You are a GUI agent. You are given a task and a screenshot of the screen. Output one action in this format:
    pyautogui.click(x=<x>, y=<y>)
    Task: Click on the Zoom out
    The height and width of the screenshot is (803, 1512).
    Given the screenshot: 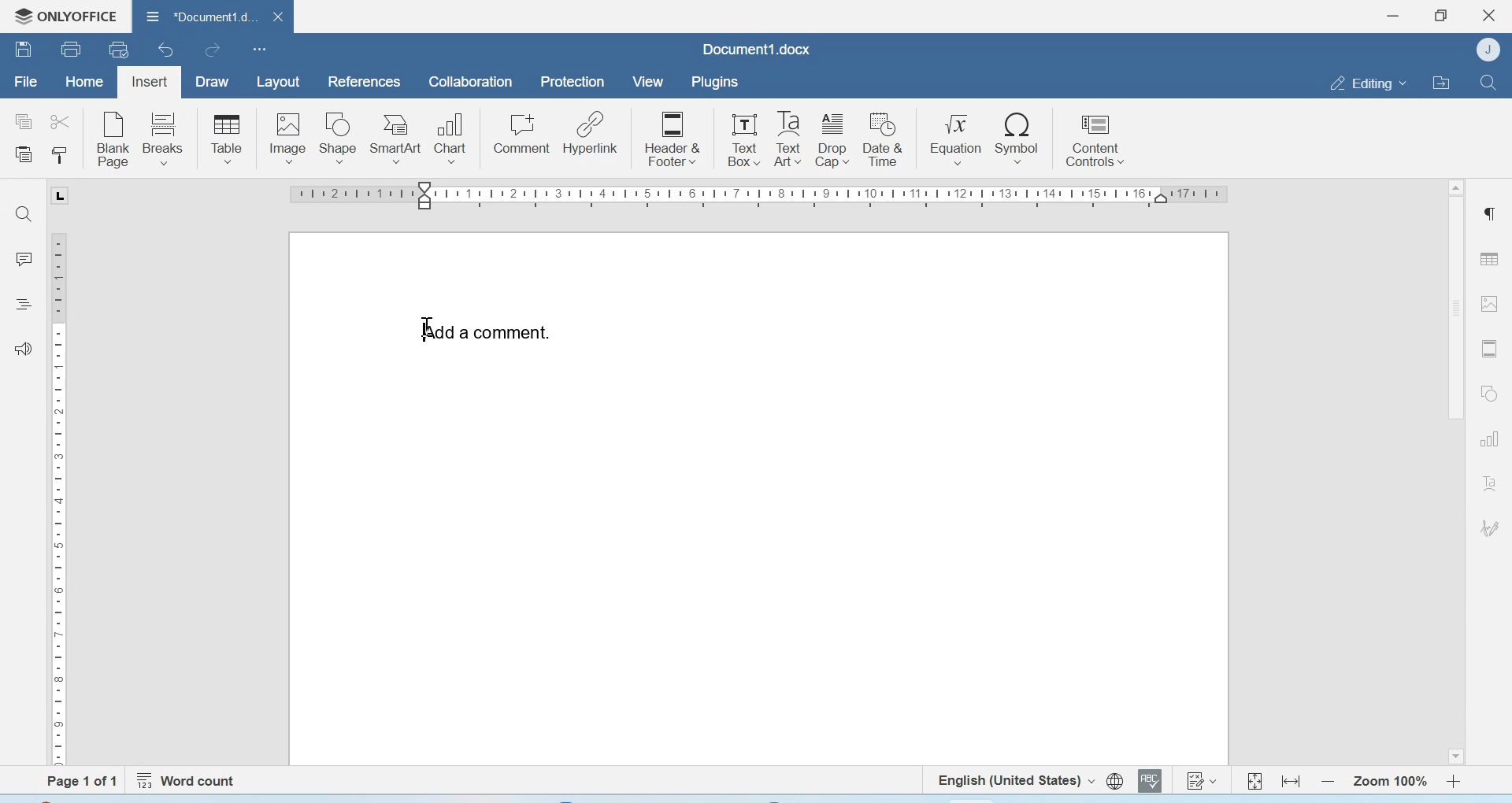 What is the action you would take?
    pyautogui.click(x=1328, y=781)
    